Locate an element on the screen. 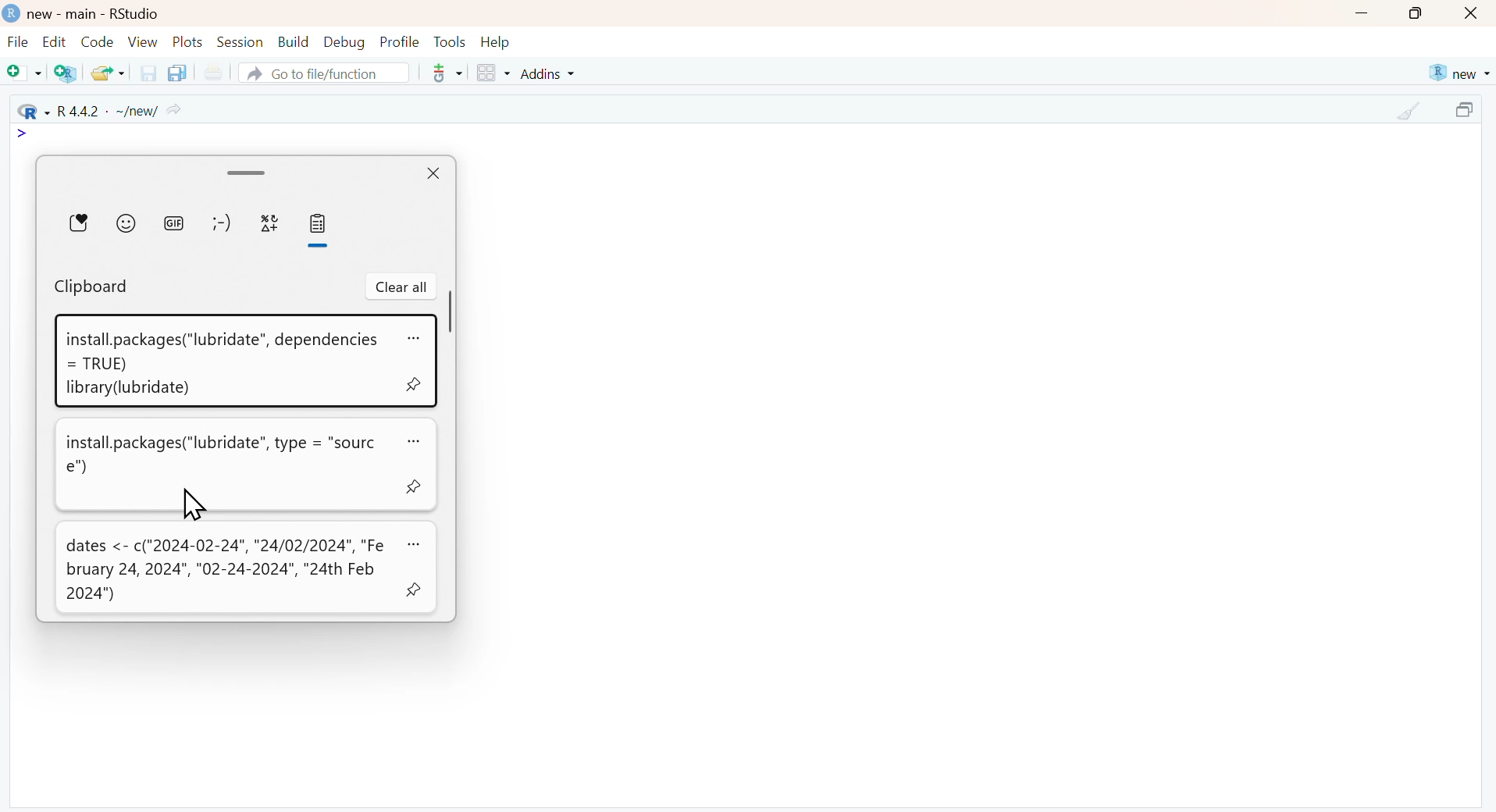  pin is located at coordinates (411, 485).